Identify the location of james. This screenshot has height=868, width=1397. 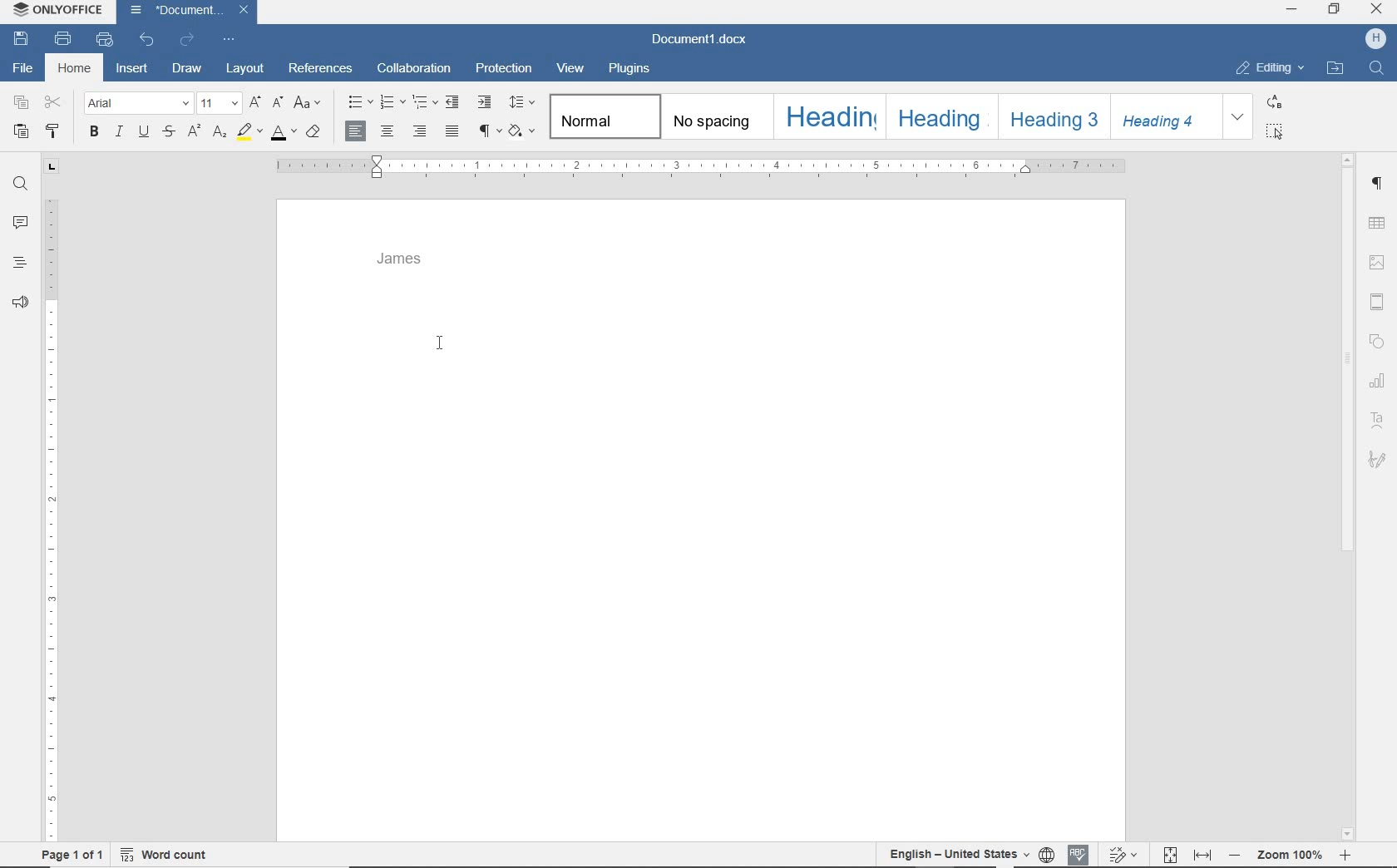
(402, 260).